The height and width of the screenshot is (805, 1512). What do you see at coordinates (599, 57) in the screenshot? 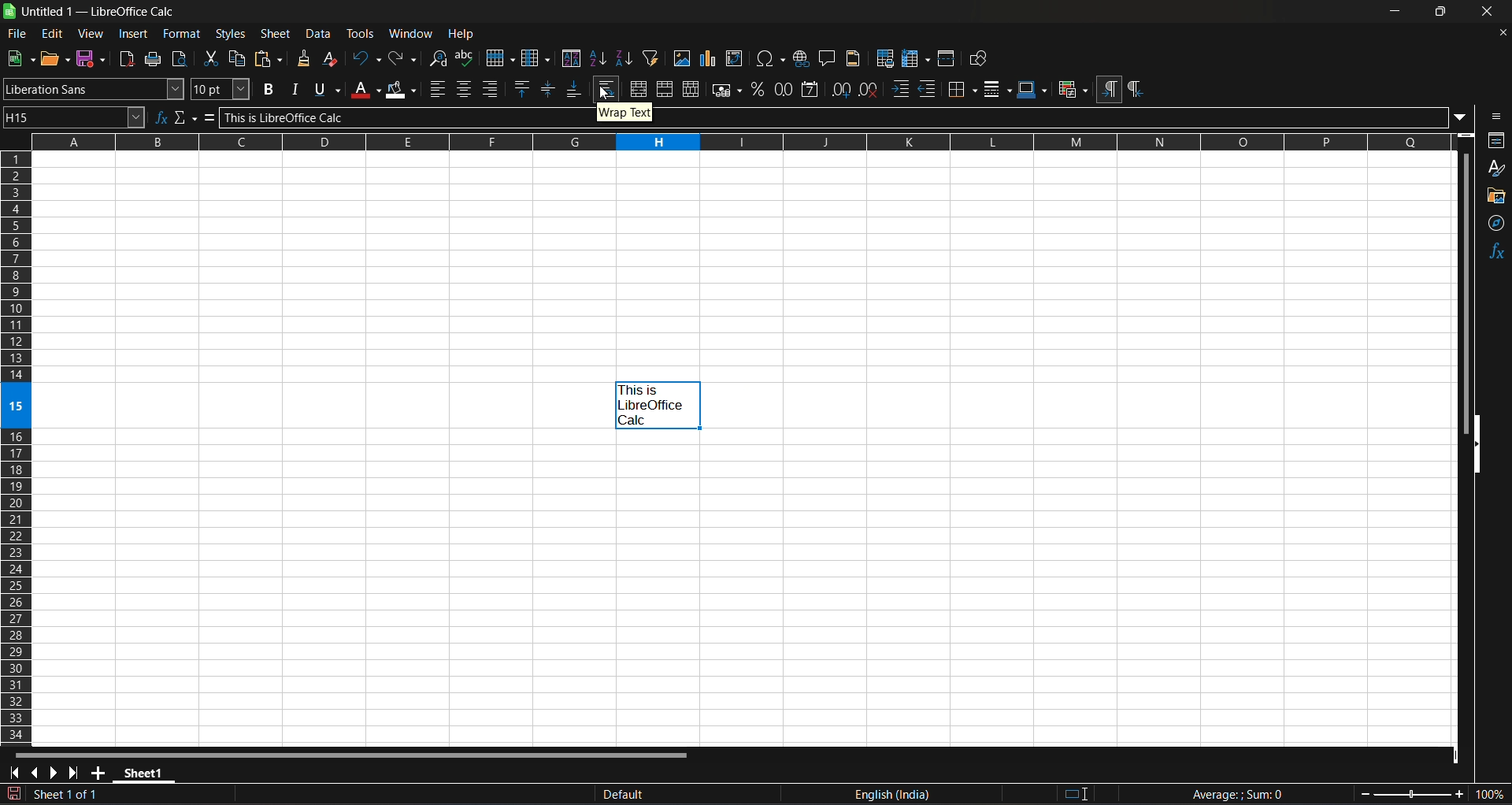
I see `sort ascending` at bounding box center [599, 57].